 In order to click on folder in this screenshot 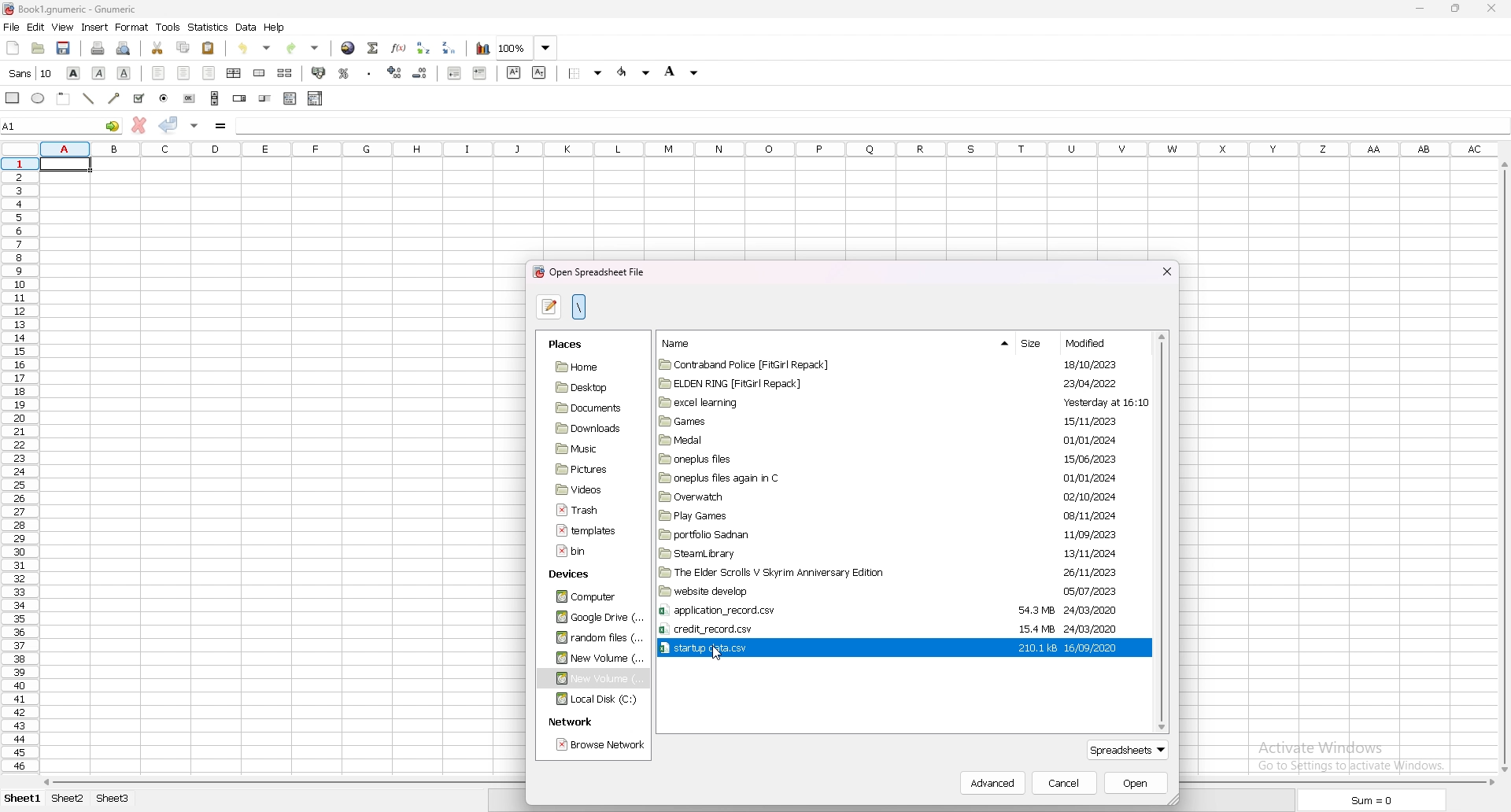, I will do `click(826, 573)`.